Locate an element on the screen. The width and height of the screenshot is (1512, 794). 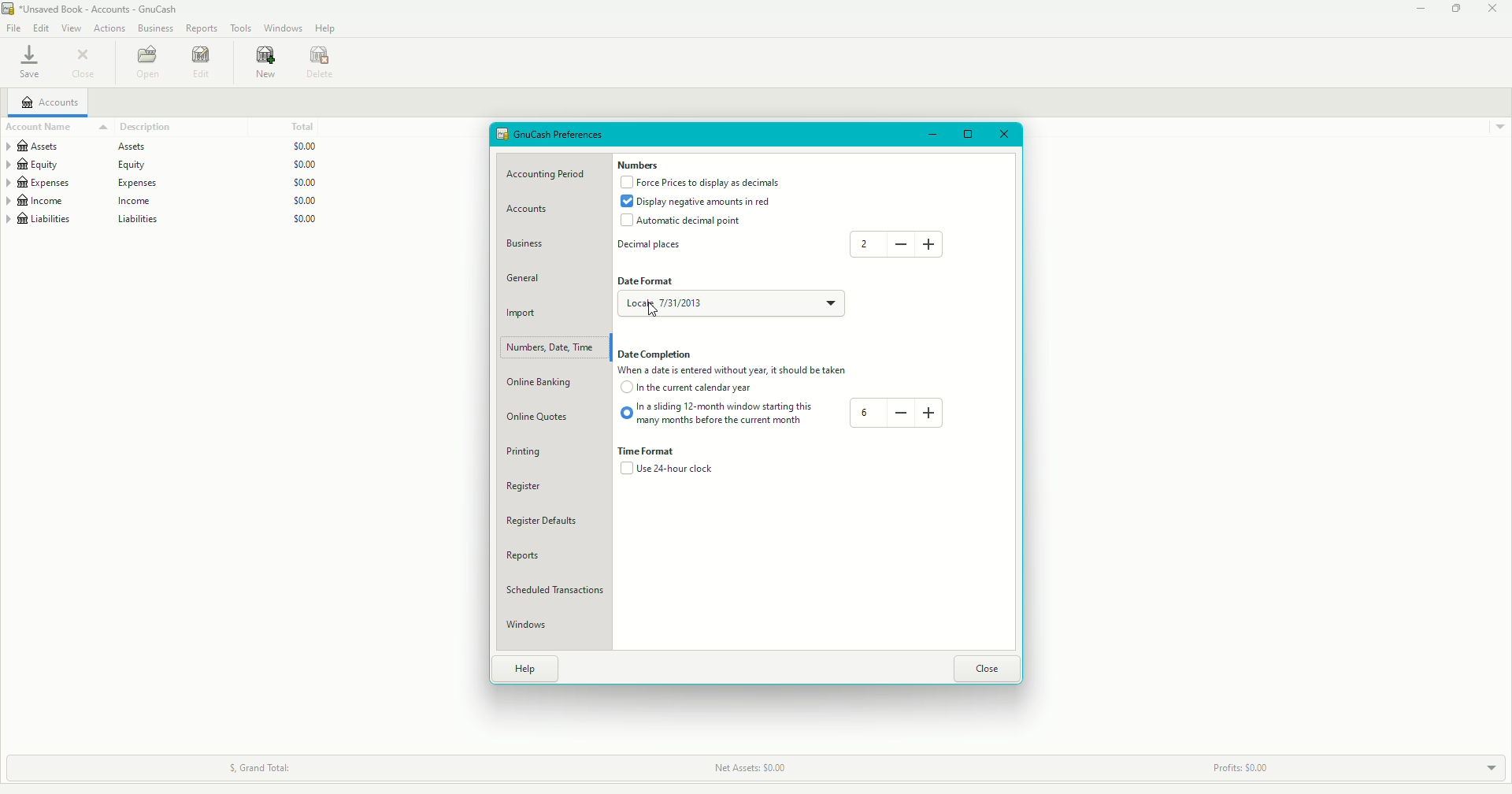
Force Prices is located at coordinates (705, 183).